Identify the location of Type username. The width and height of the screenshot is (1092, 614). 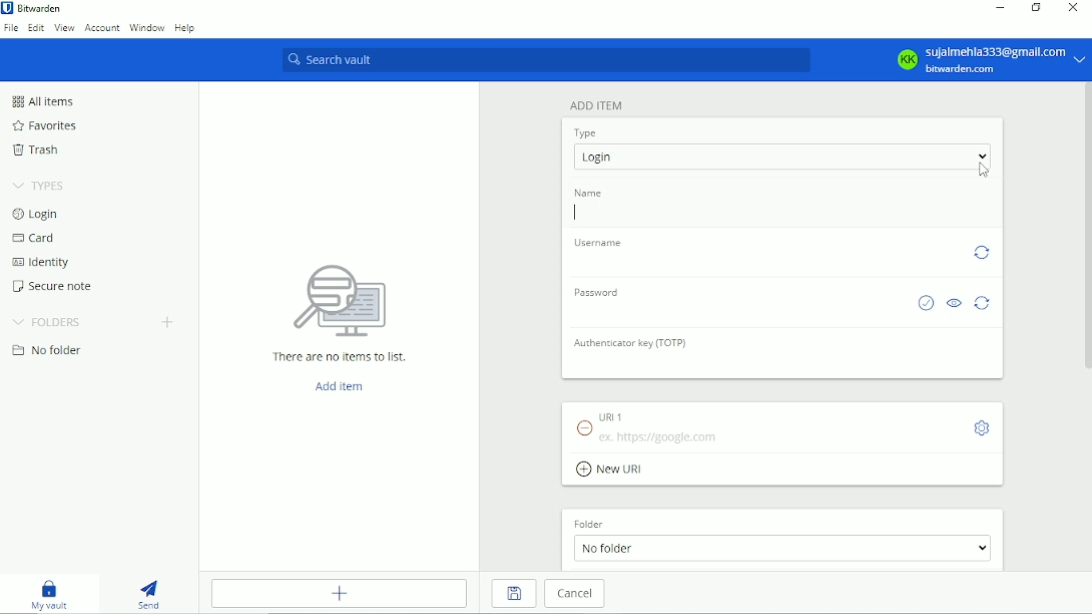
(631, 262).